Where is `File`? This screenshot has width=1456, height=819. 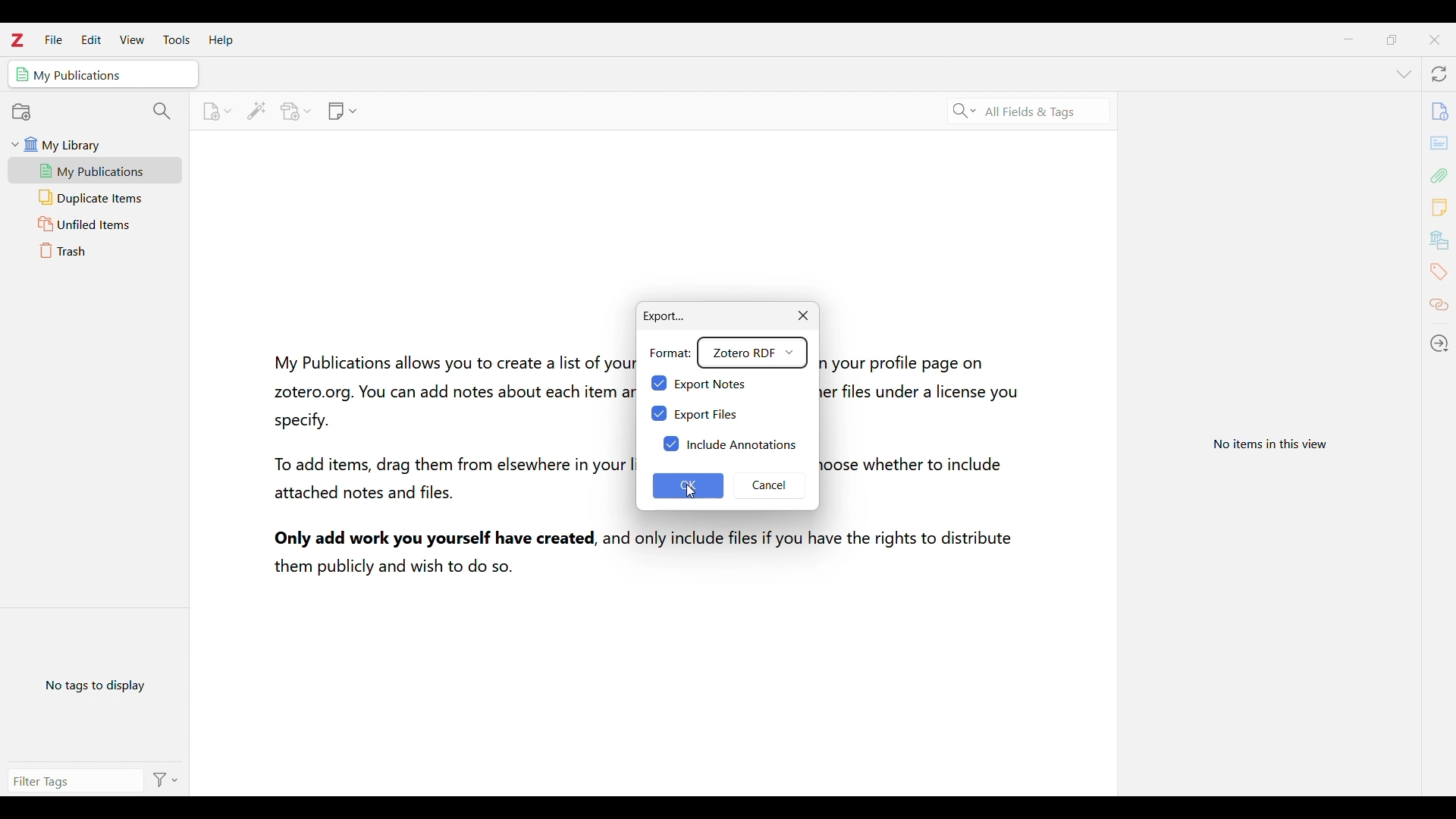 File is located at coordinates (53, 39).